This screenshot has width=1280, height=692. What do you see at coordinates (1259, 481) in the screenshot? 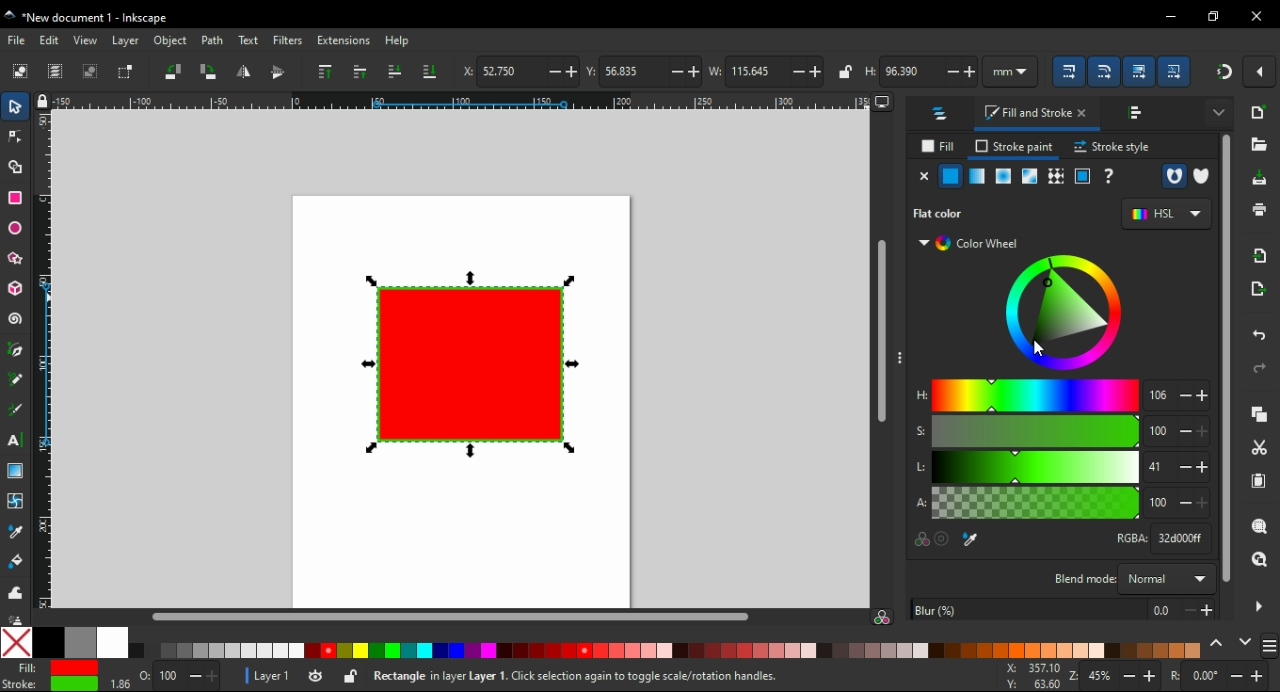
I see `paste` at bounding box center [1259, 481].